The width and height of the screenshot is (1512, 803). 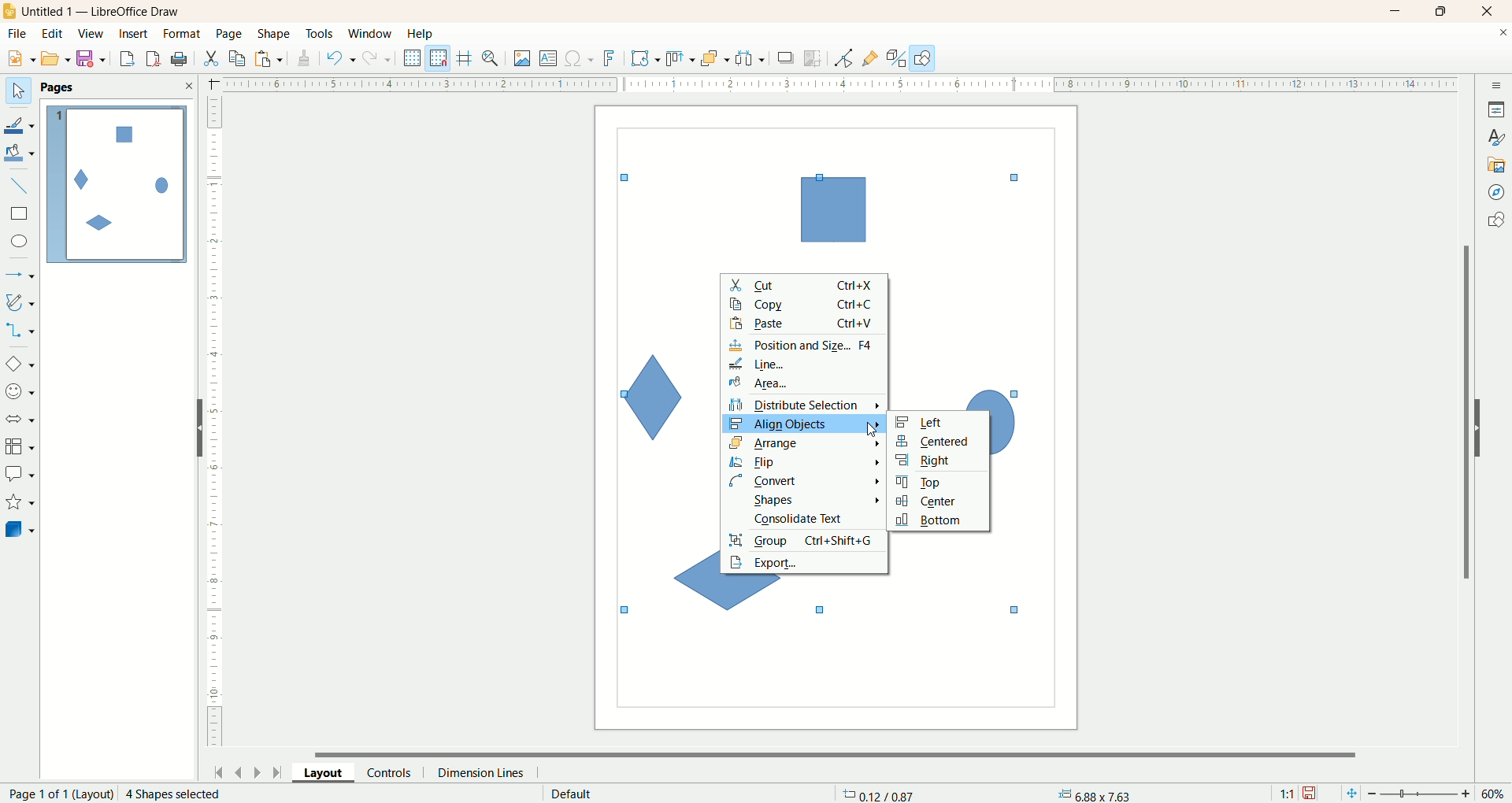 I want to click on unselected shape, so click(x=1010, y=417).